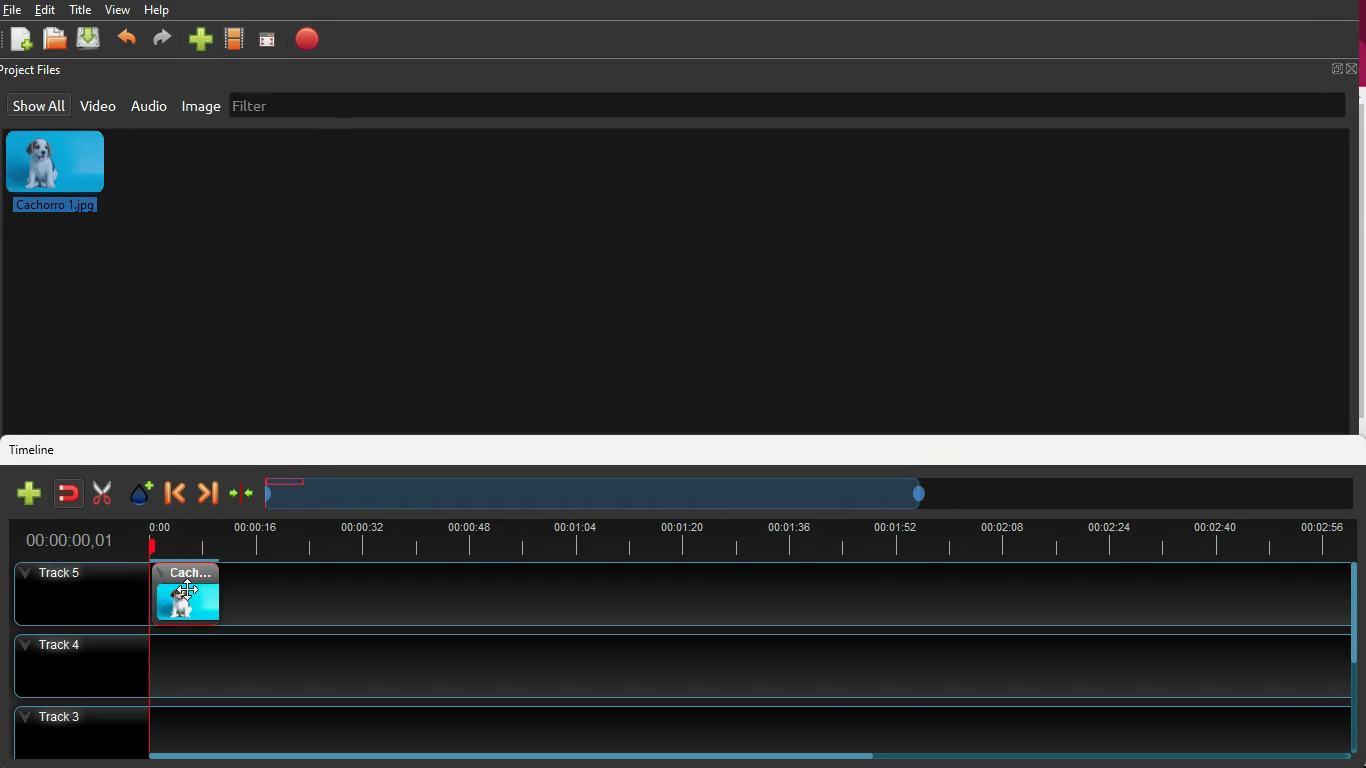  Describe the element at coordinates (38, 105) in the screenshot. I see `show all` at that location.